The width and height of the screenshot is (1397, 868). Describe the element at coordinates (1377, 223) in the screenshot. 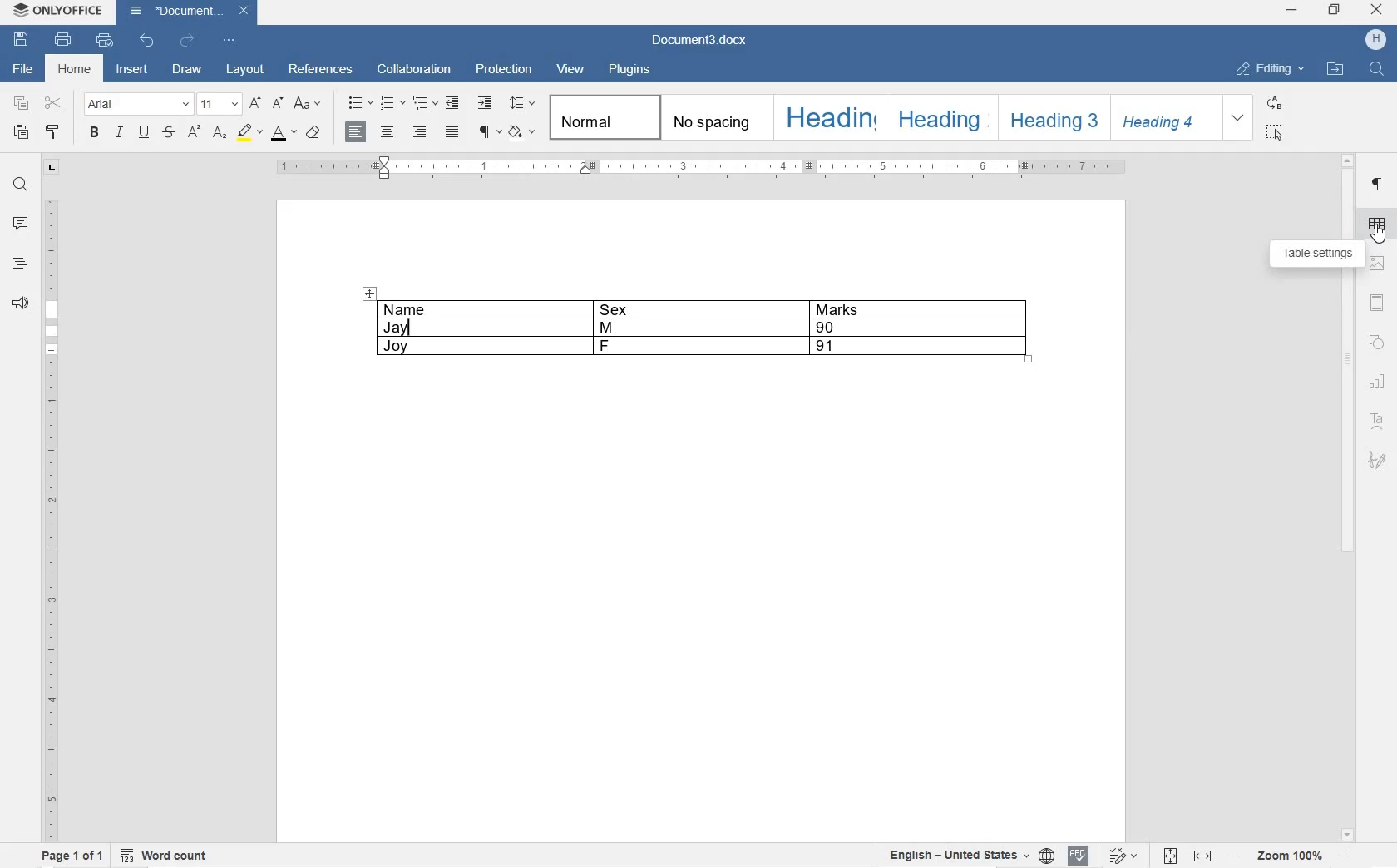

I see `TABLE SETTINGS` at that location.